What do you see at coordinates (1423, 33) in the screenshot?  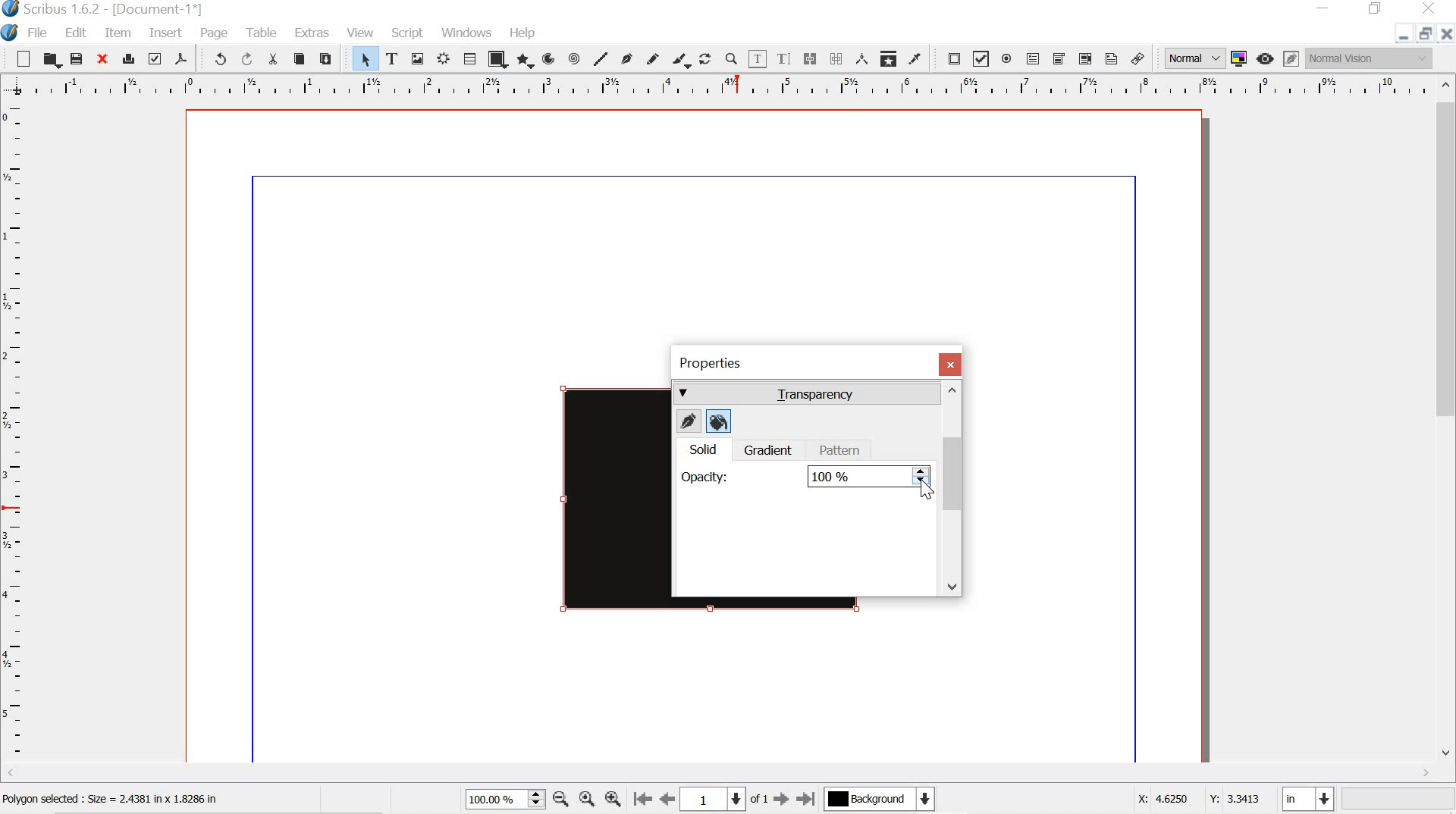 I see `restore down` at bounding box center [1423, 33].